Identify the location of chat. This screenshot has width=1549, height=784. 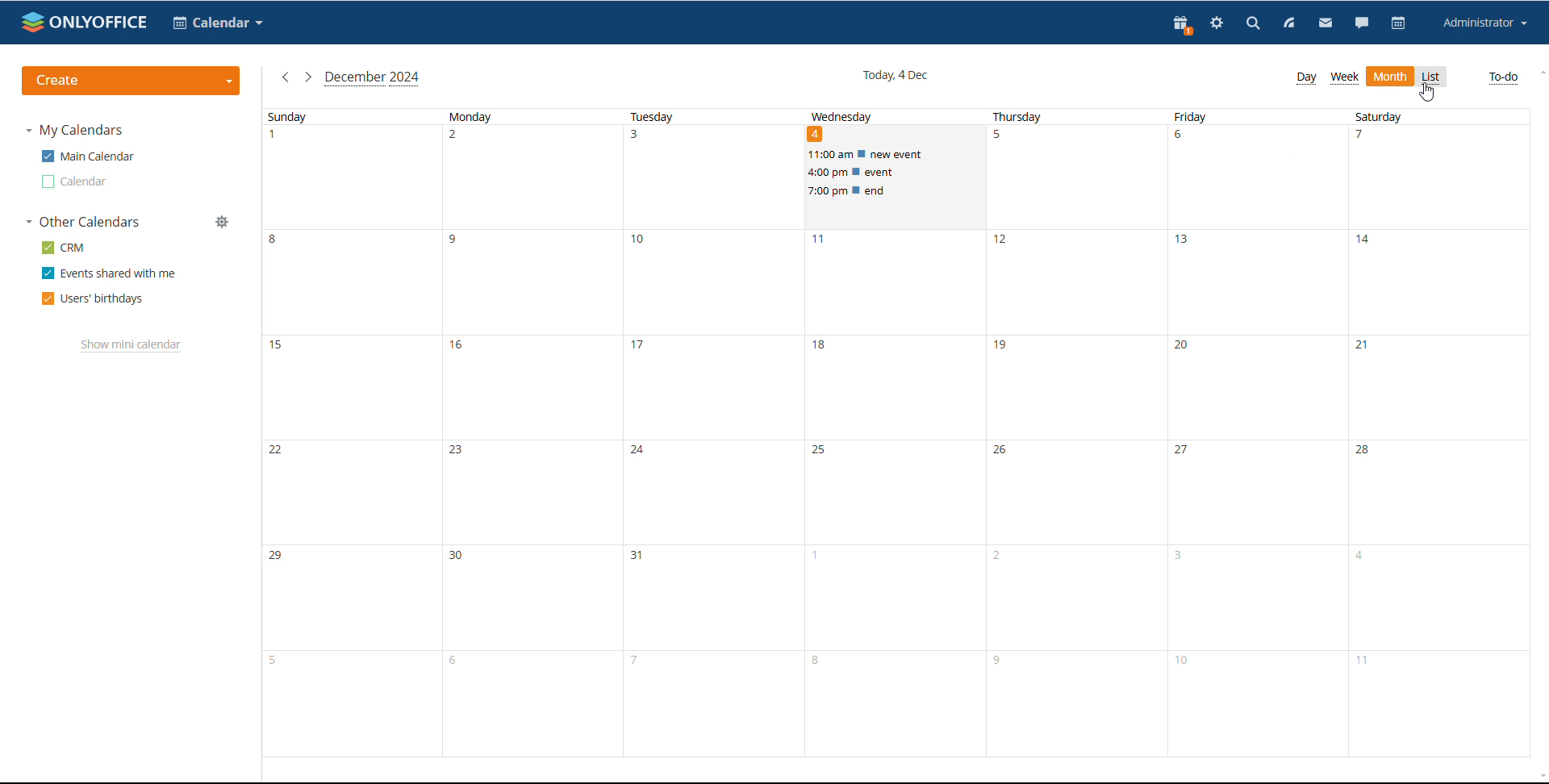
(1361, 24).